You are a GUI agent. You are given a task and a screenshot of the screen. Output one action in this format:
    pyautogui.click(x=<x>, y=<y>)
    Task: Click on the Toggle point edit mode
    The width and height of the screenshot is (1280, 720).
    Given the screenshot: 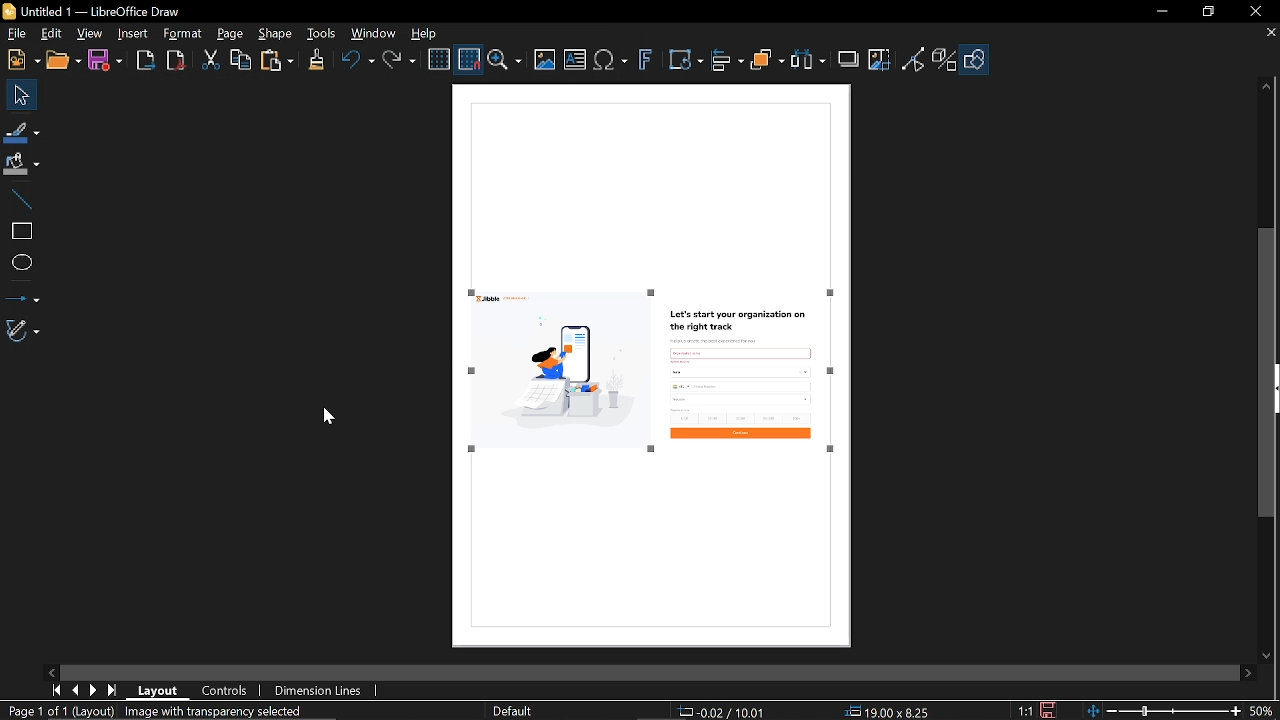 What is the action you would take?
    pyautogui.click(x=912, y=63)
    